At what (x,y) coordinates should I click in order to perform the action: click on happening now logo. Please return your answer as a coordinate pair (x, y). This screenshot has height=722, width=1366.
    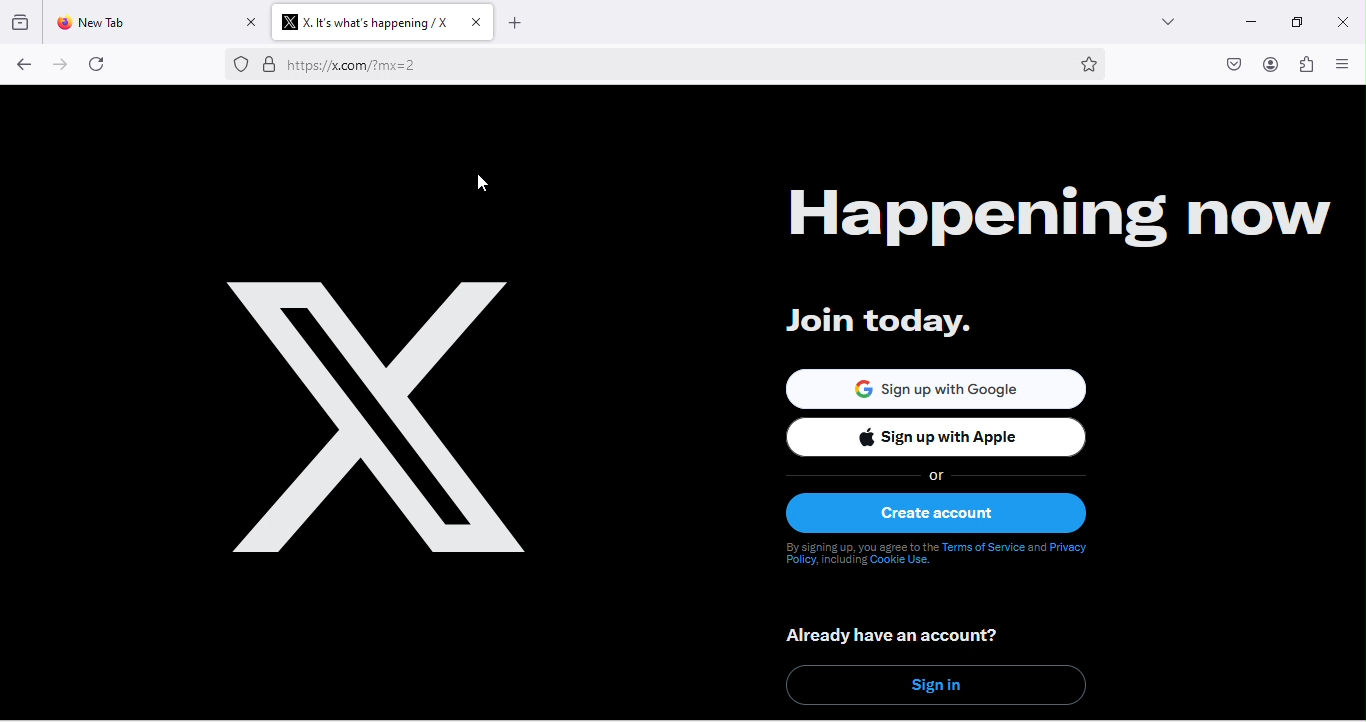
    Looking at the image, I should click on (382, 419).